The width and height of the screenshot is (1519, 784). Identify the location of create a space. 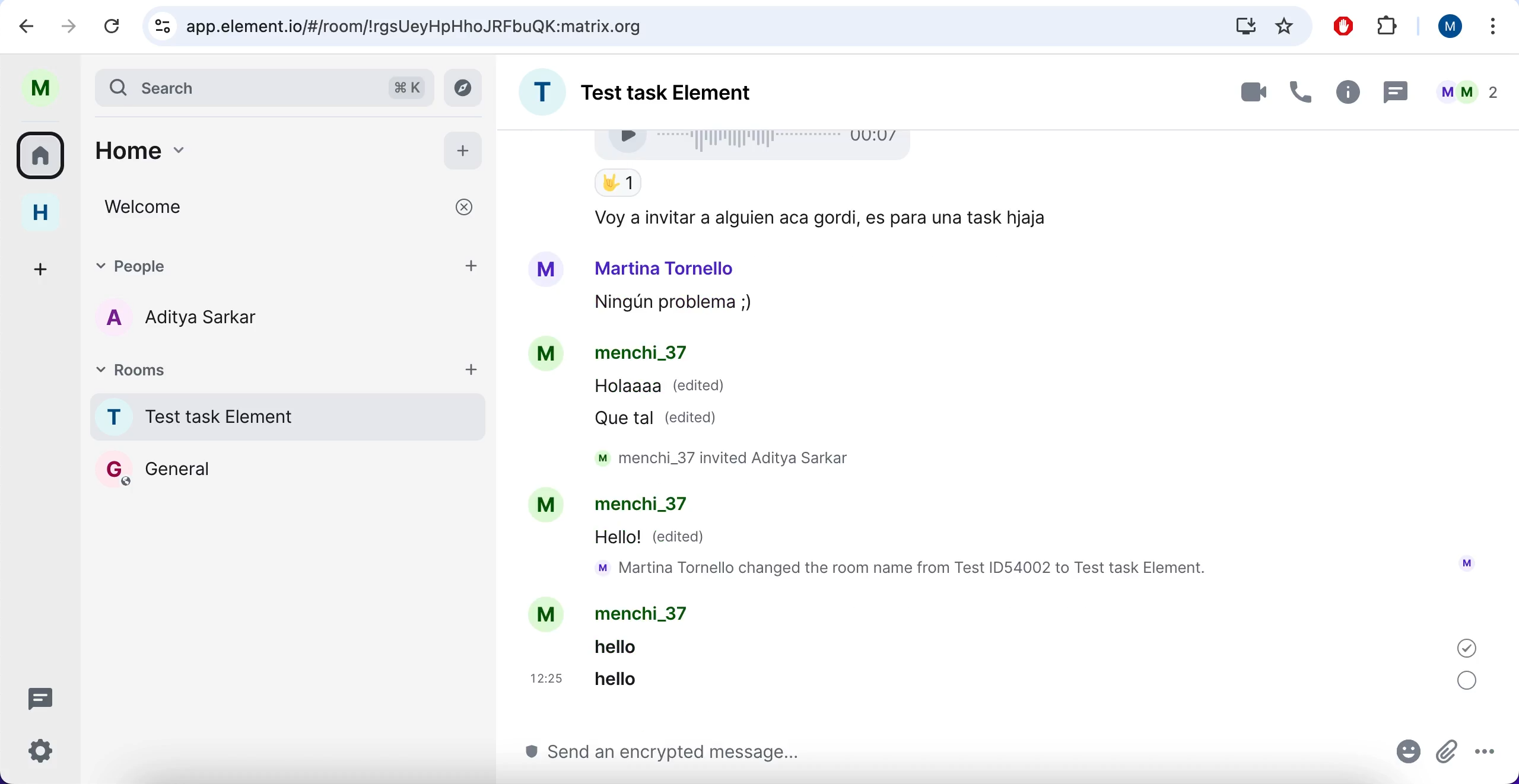
(45, 267).